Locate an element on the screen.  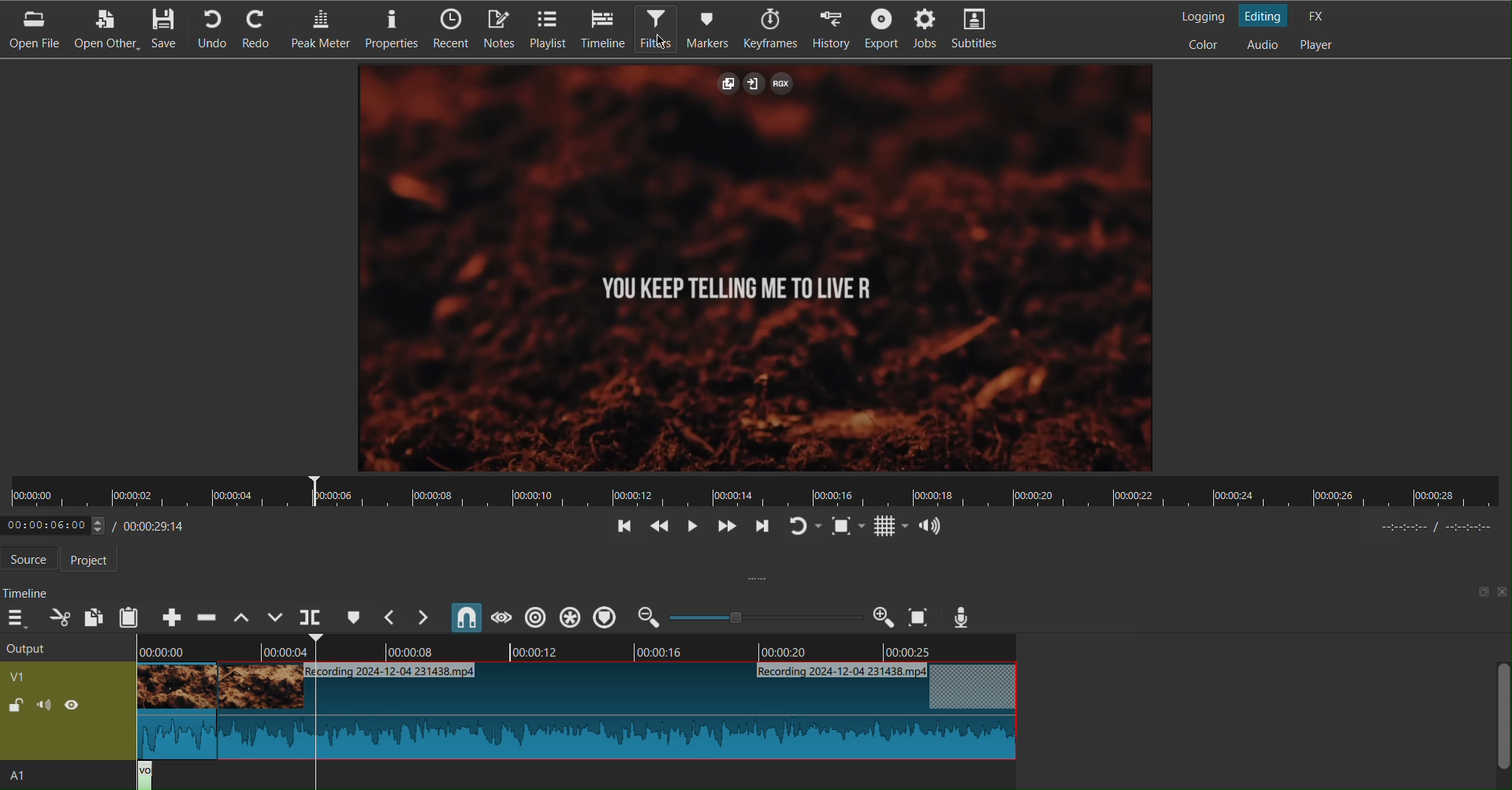
Lift is located at coordinates (239, 617).